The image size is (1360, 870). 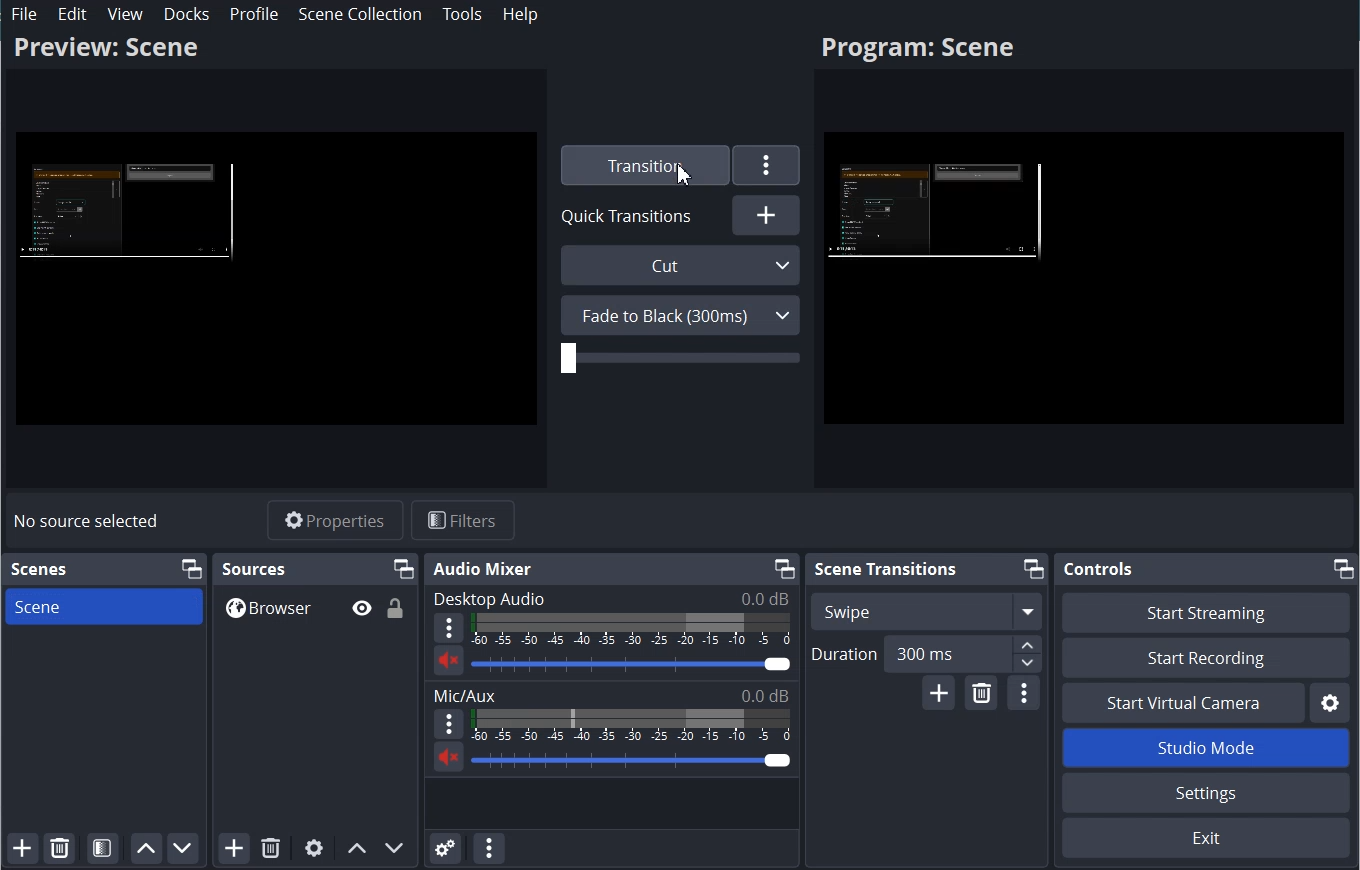 I want to click on Audio Mixer Menu, so click(x=488, y=848).